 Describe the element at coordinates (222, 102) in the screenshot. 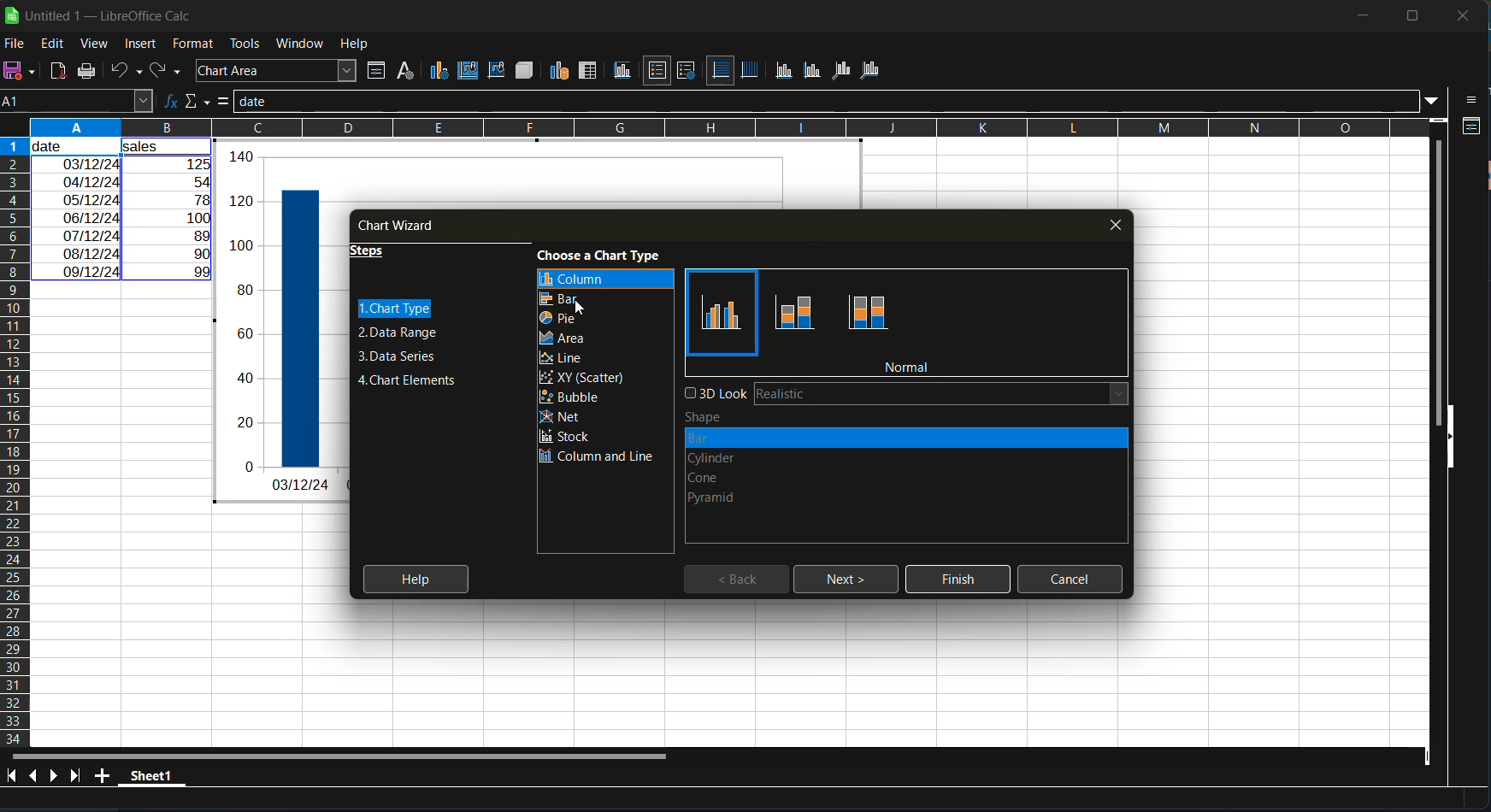

I see `formula` at that location.